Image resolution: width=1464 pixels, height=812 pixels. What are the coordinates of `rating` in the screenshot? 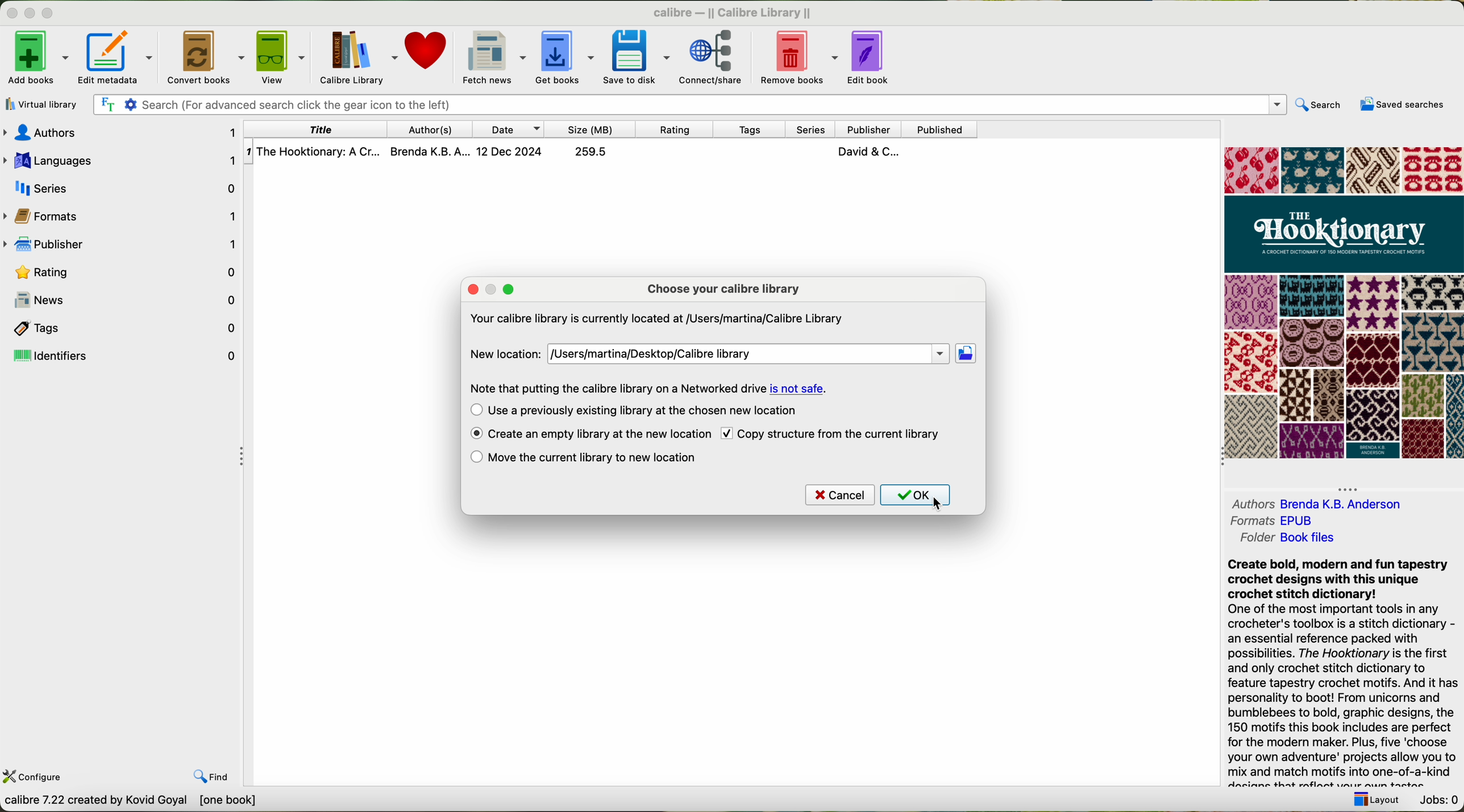 It's located at (122, 273).